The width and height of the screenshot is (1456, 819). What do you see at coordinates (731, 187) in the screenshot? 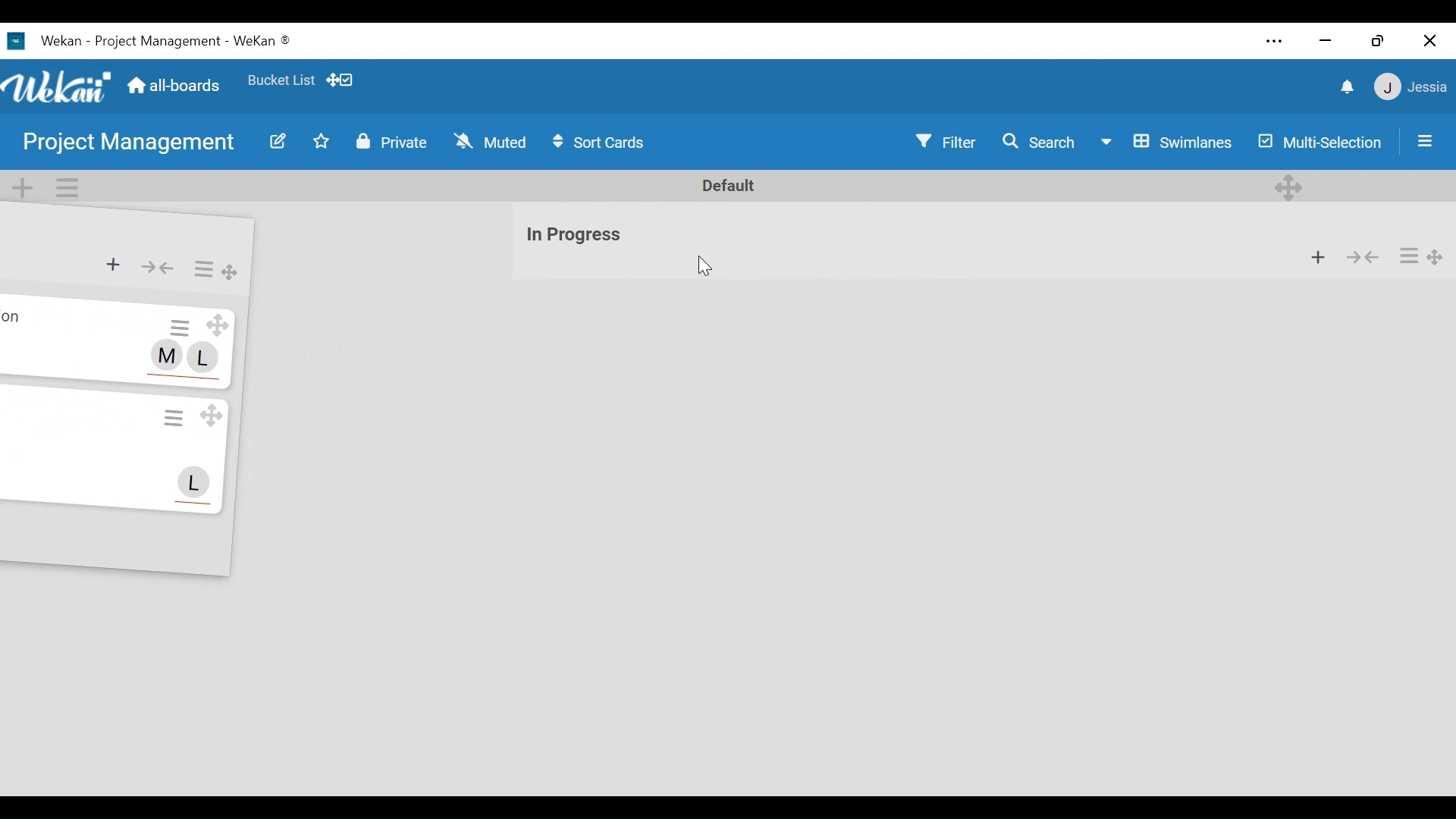
I see `Default` at bounding box center [731, 187].